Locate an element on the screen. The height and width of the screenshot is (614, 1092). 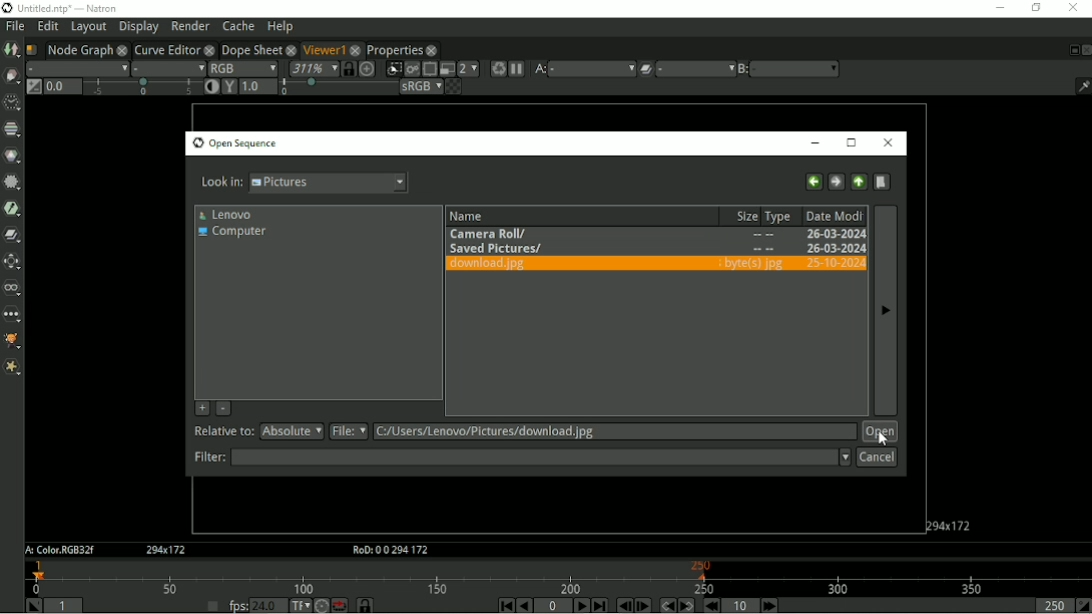
Script name is located at coordinates (31, 49).